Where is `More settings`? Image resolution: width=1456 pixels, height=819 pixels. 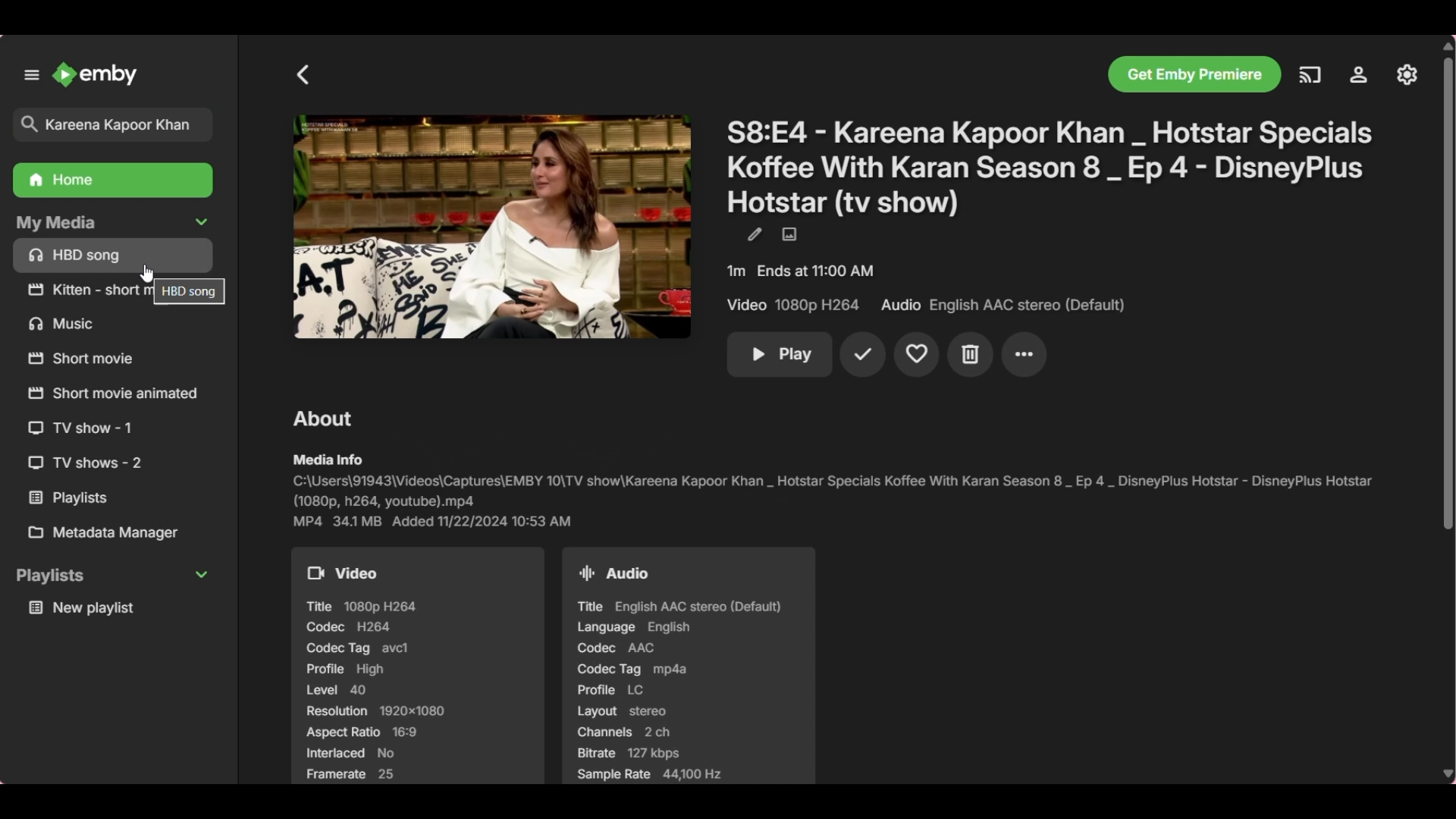 More settings is located at coordinates (1024, 355).